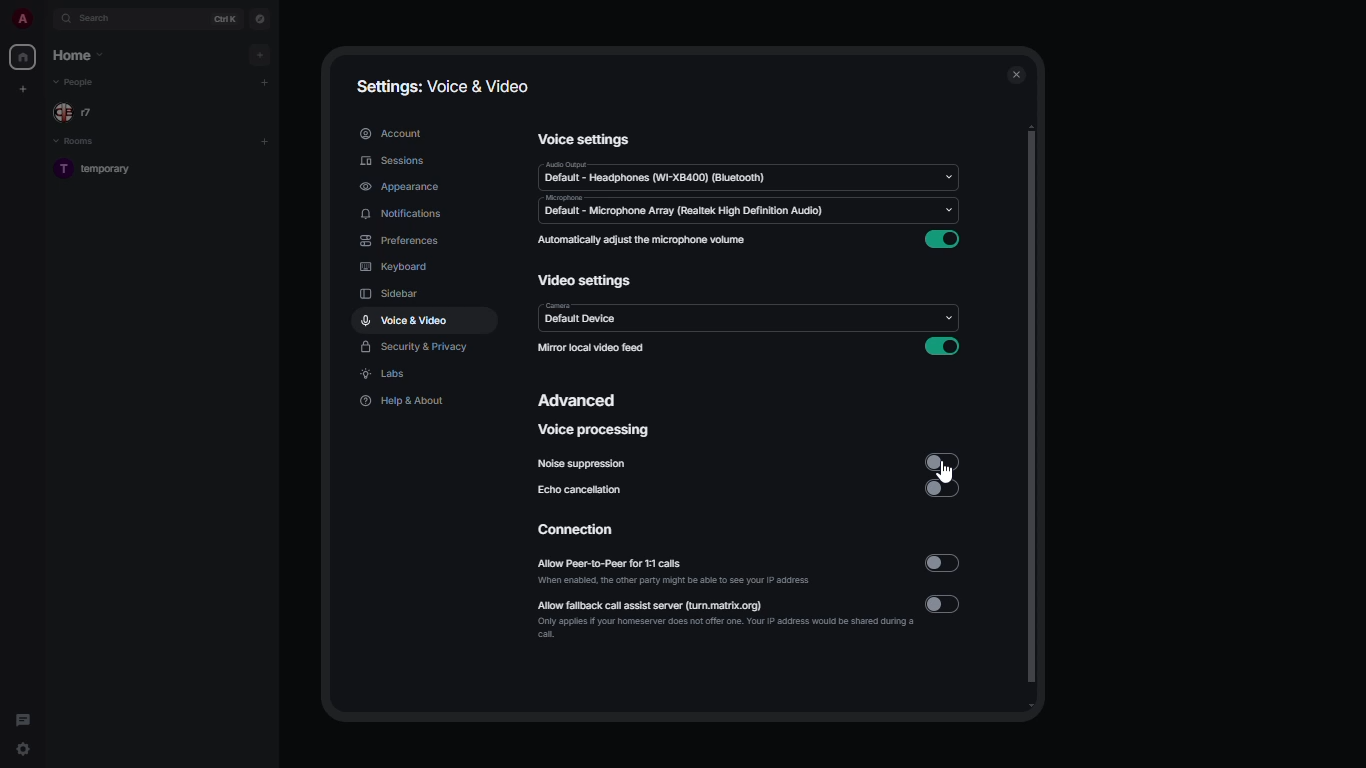 Image resolution: width=1366 pixels, height=768 pixels. I want to click on expand, so click(45, 20).